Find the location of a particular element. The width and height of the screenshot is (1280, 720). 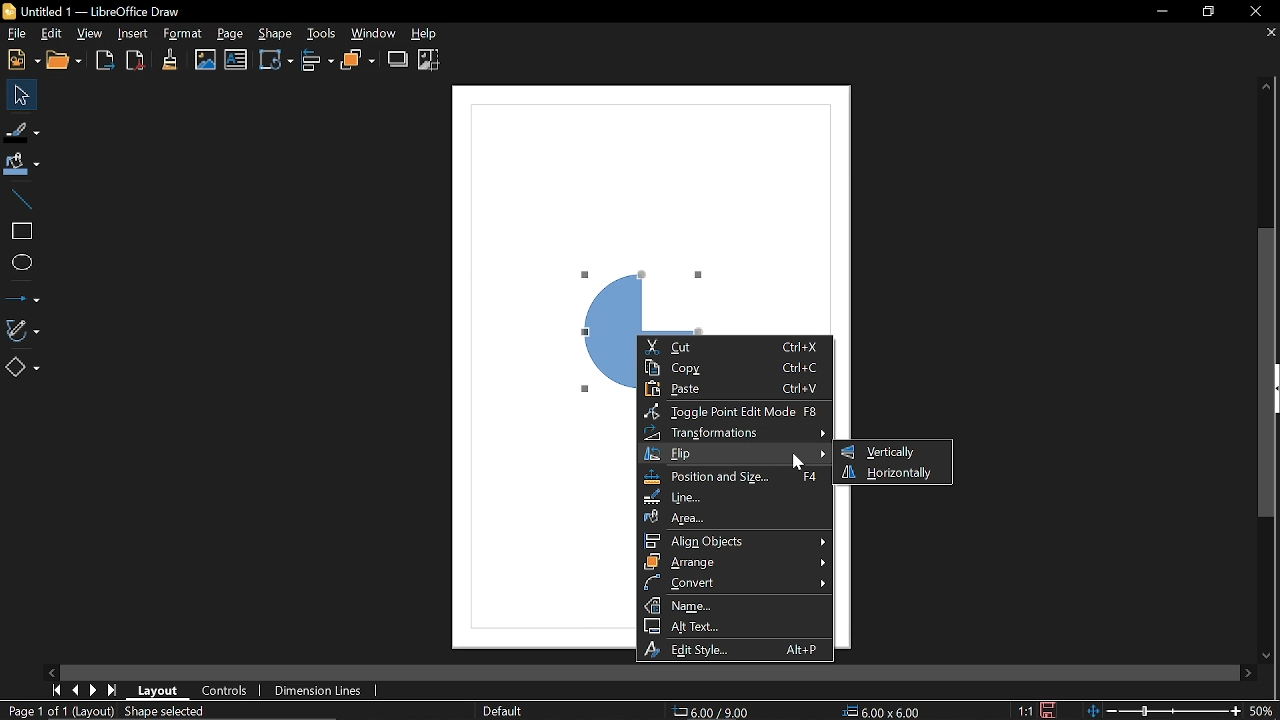

Close document is located at coordinates (1267, 36).